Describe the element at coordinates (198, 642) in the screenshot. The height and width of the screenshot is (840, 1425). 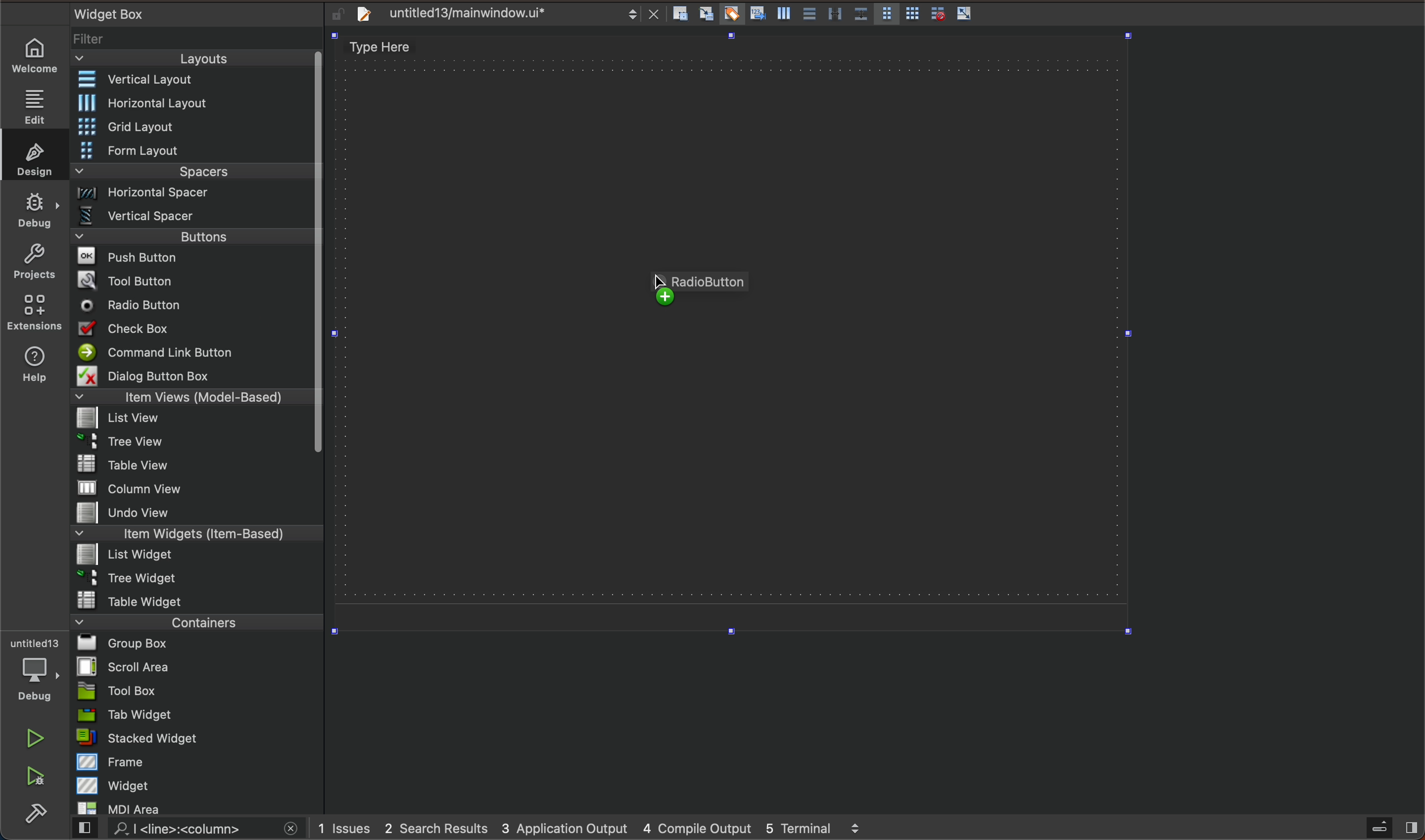
I see `group box` at that location.